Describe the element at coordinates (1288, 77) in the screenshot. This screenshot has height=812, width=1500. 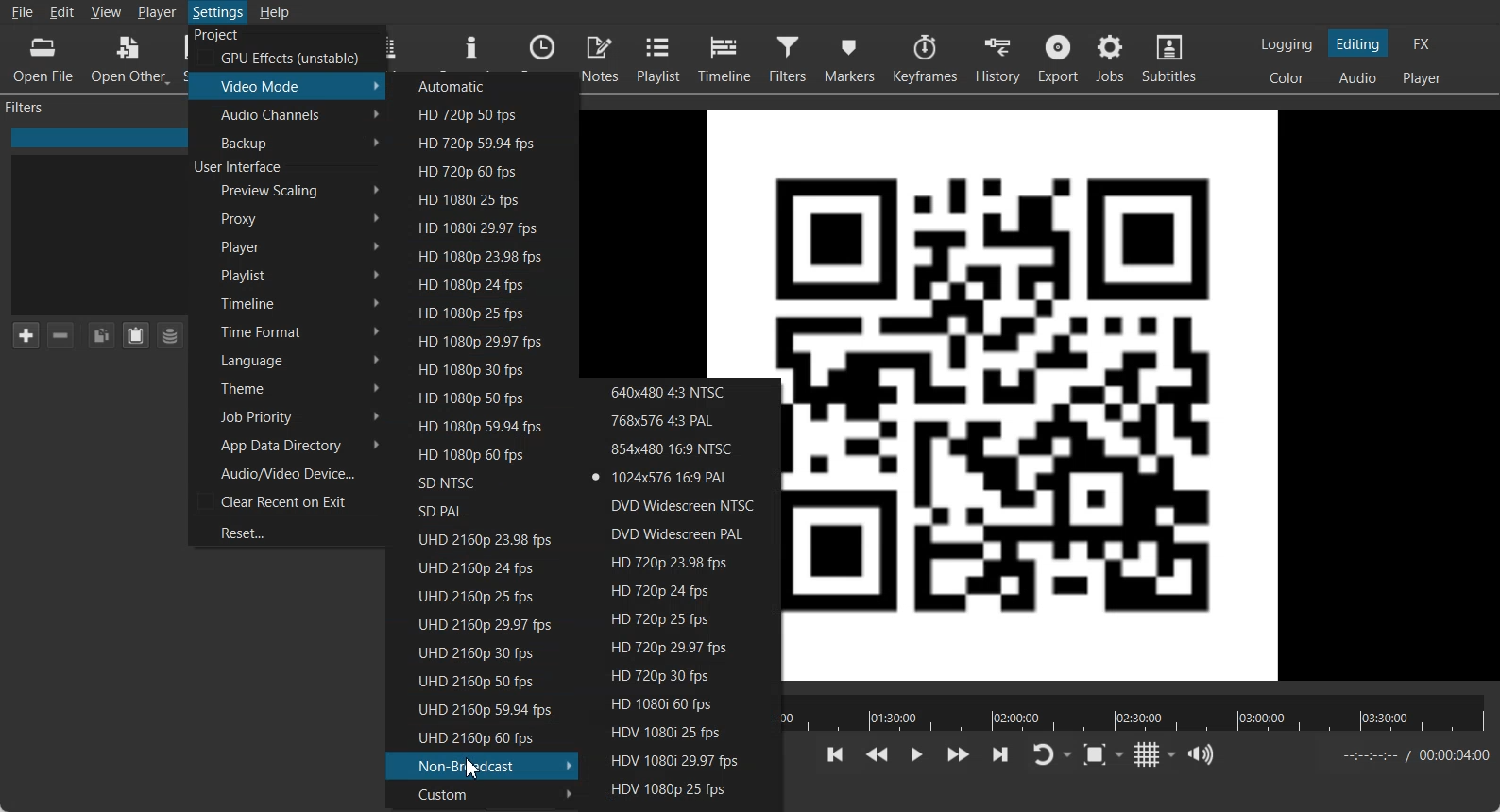
I see `Switch to the color layout` at that location.